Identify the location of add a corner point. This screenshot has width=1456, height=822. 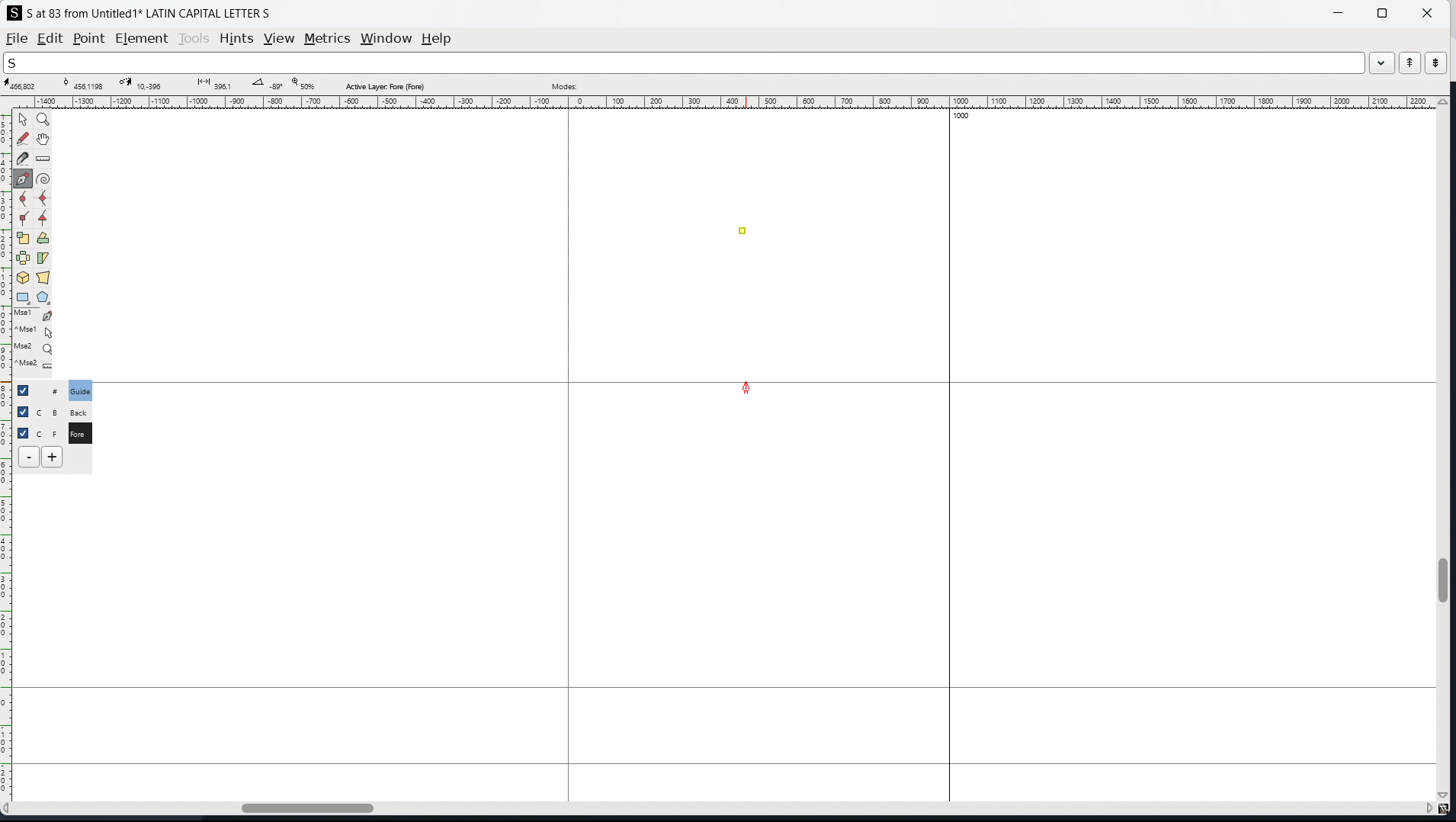
(24, 220).